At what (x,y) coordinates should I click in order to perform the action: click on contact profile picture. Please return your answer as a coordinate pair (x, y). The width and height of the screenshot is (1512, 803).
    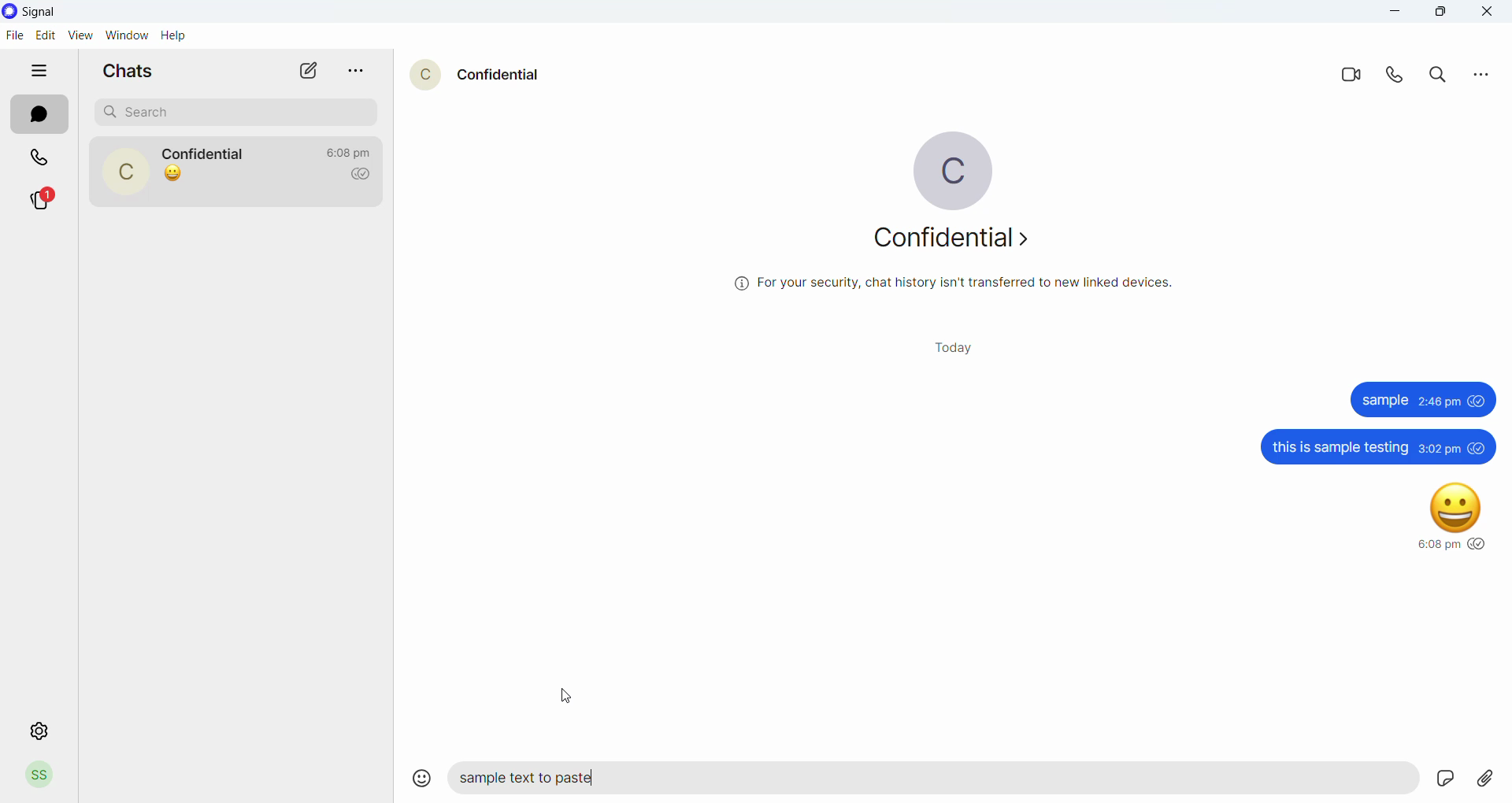
    Looking at the image, I should click on (428, 79).